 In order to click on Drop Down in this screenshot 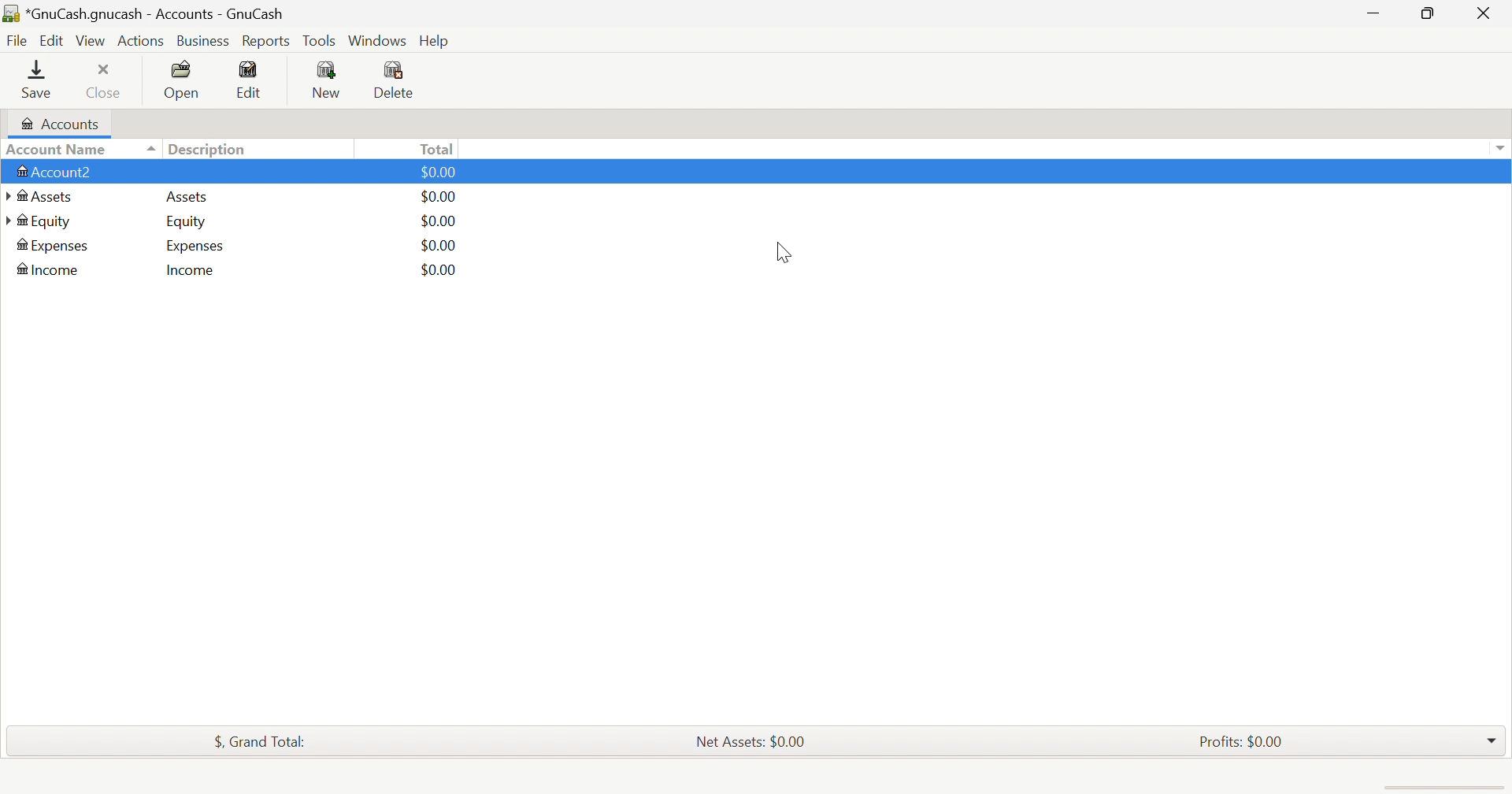, I will do `click(1491, 739)`.